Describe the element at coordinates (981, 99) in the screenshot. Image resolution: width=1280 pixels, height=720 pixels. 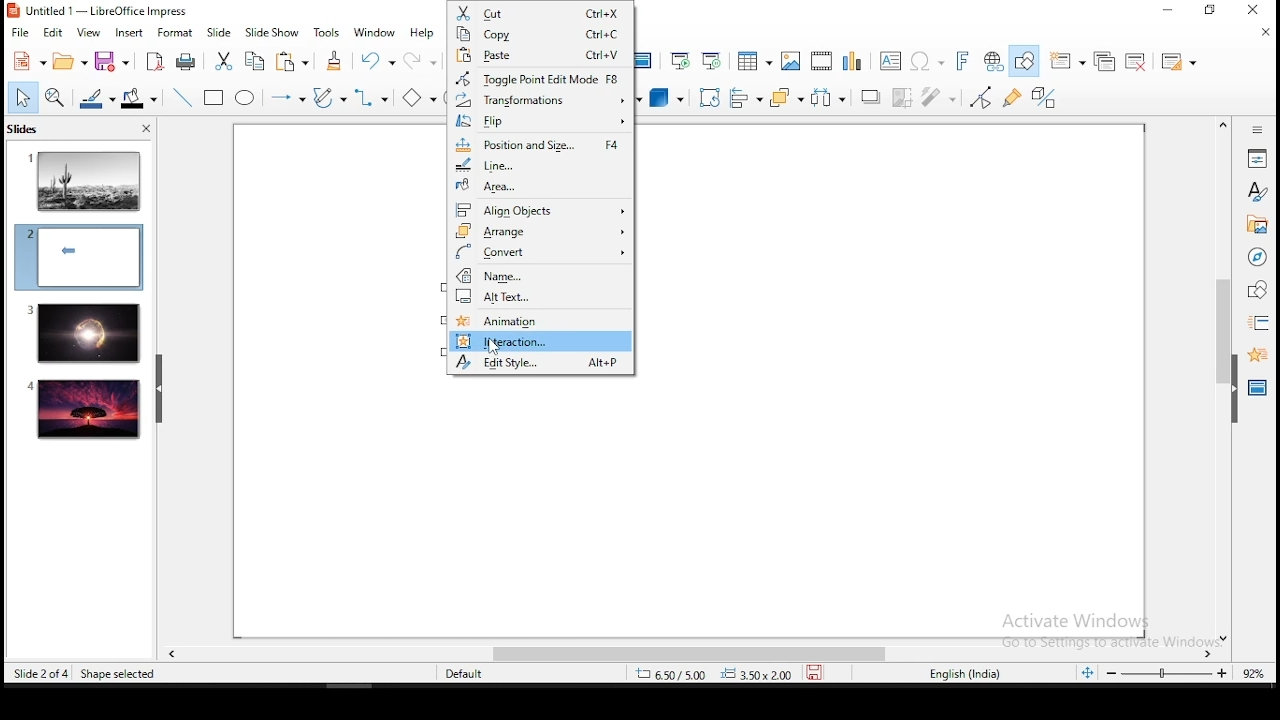
I see `toggle point edit mode` at that location.